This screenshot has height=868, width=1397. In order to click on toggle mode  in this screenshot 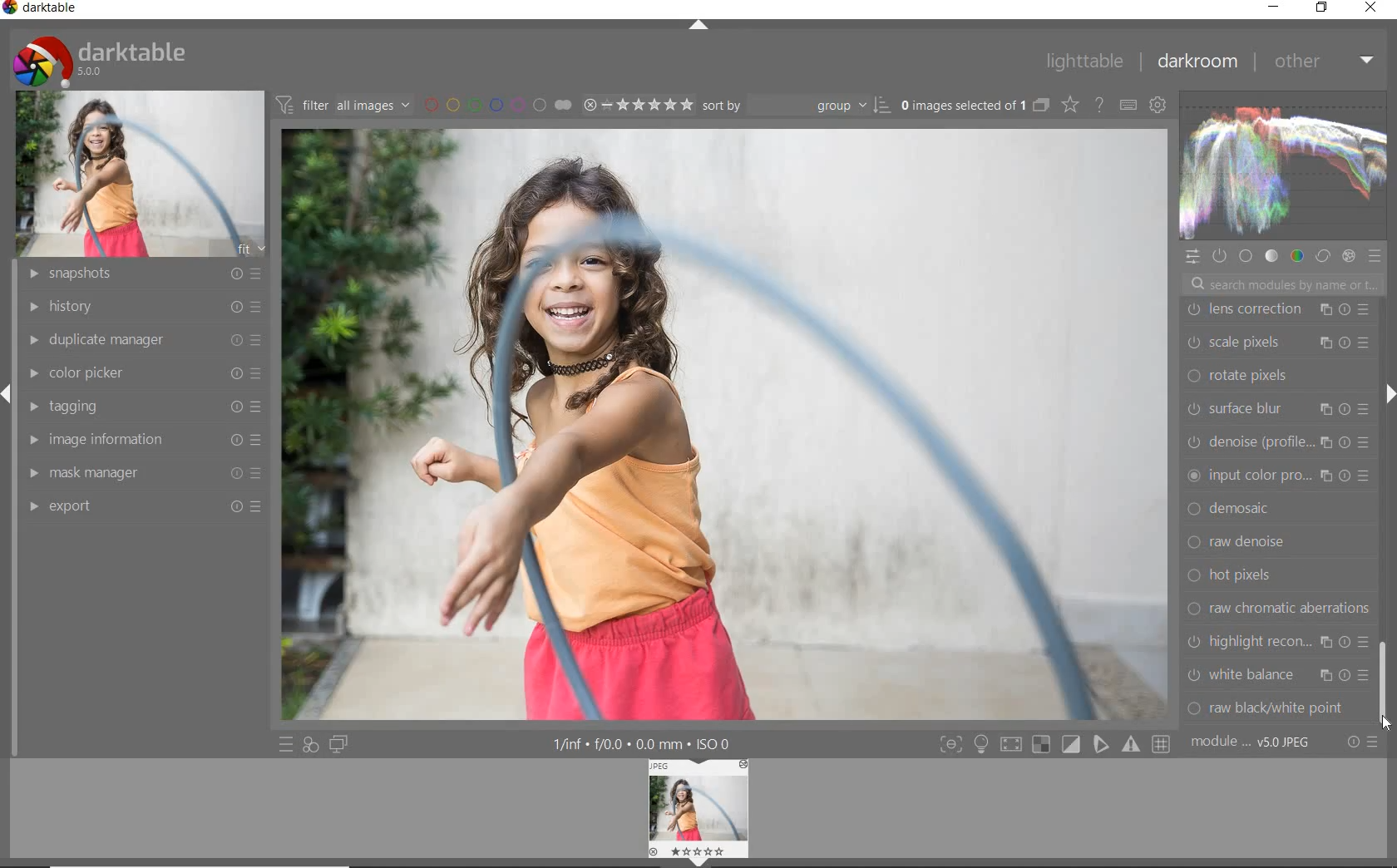, I will do `click(1044, 746)`.